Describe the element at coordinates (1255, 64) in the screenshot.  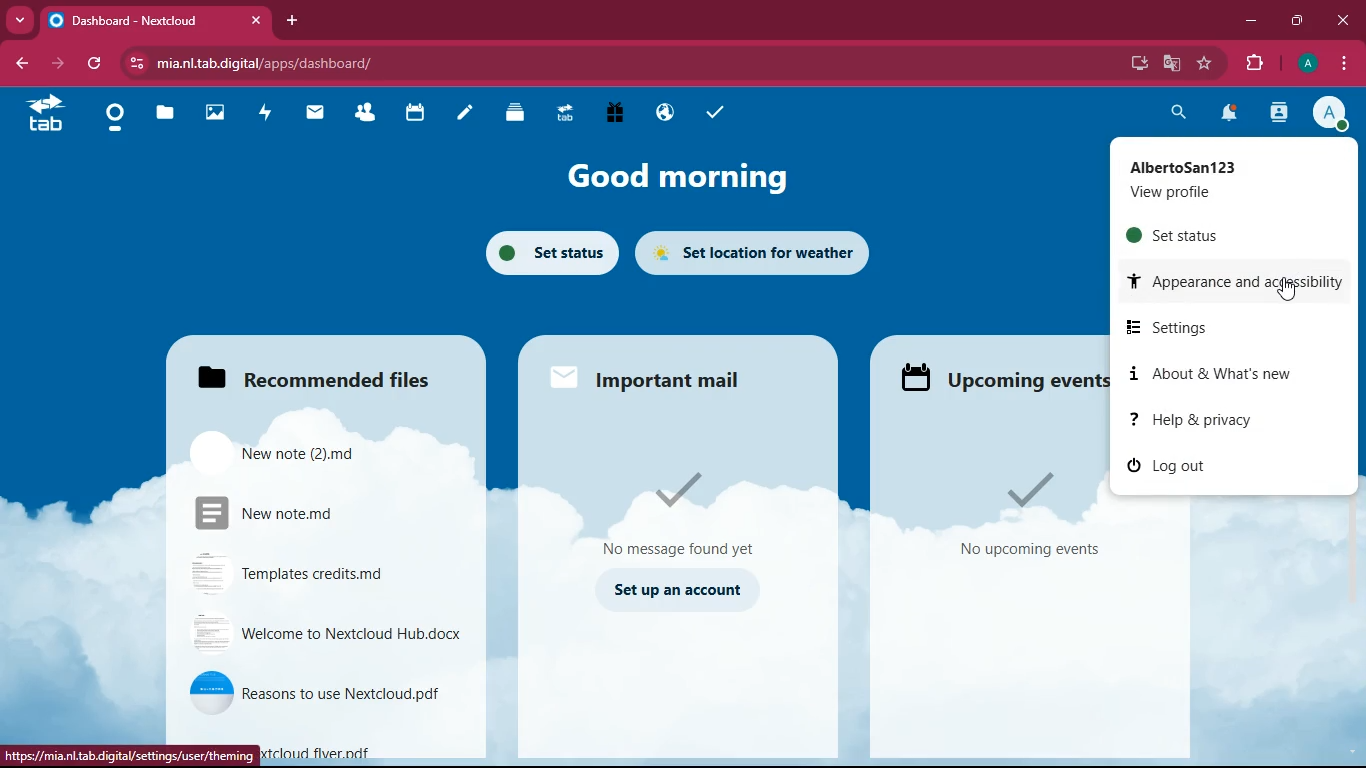
I see `extensions` at that location.